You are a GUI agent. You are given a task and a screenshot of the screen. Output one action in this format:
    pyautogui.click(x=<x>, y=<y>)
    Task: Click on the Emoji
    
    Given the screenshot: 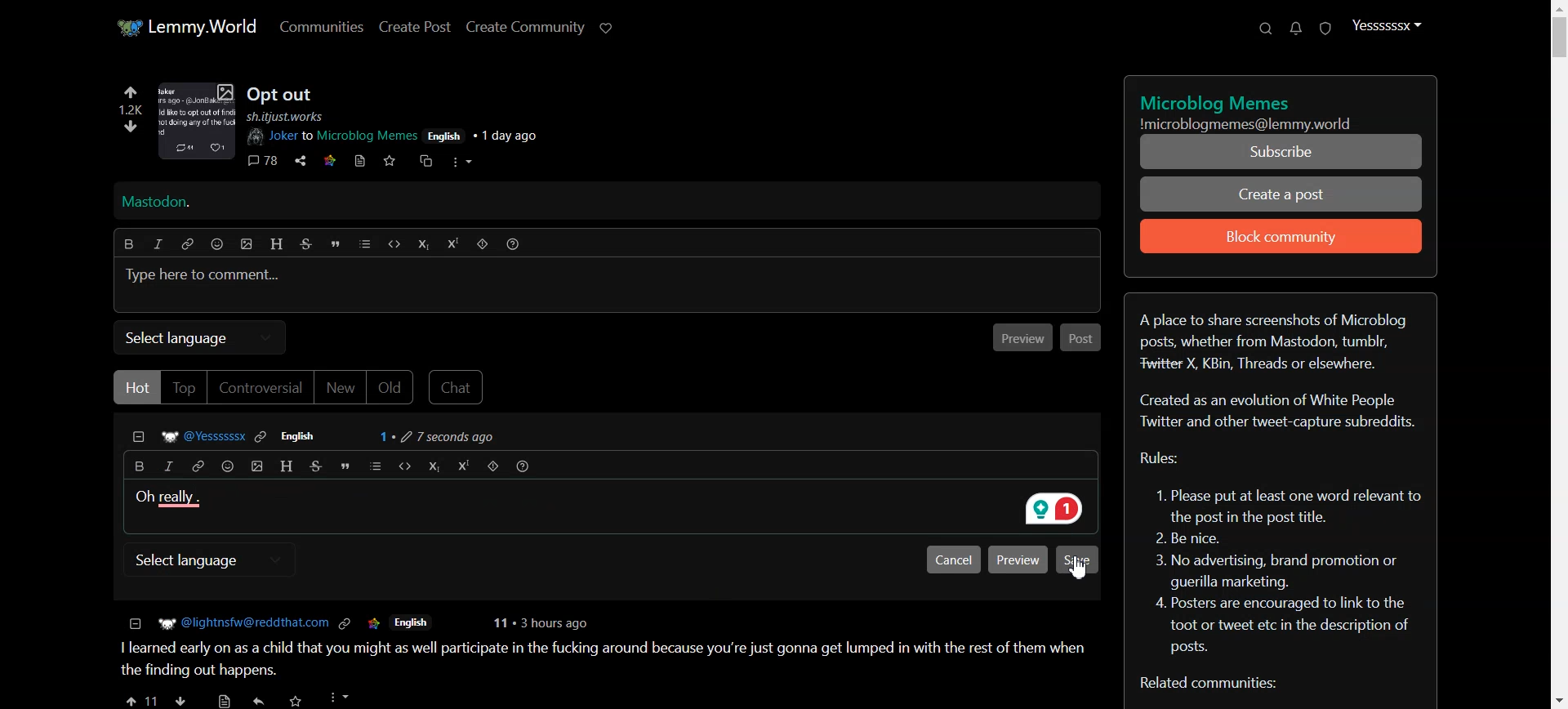 What is the action you would take?
    pyautogui.click(x=225, y=466)
    